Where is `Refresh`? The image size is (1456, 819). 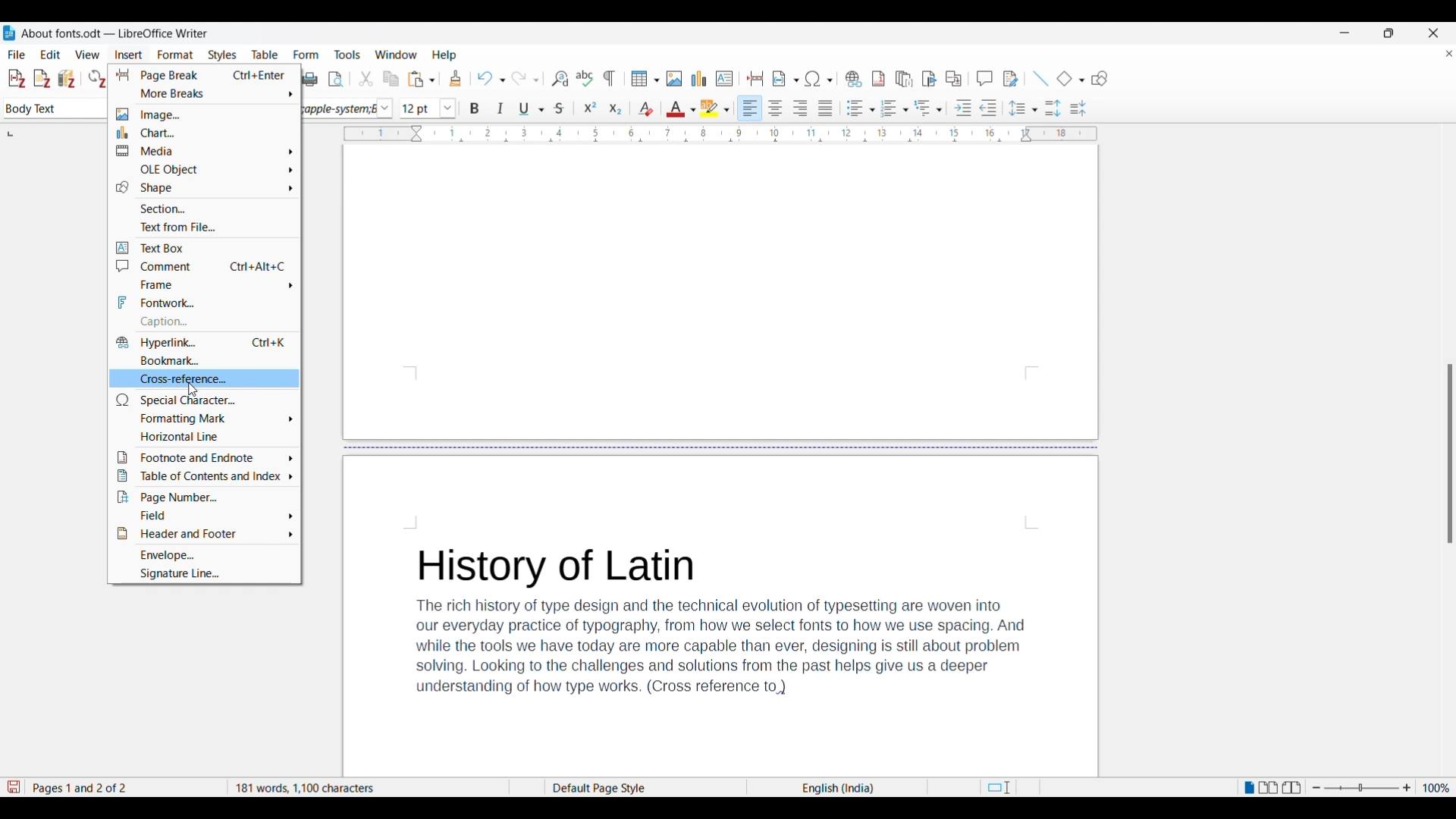 Refresh is located at coordinates (96, 78).